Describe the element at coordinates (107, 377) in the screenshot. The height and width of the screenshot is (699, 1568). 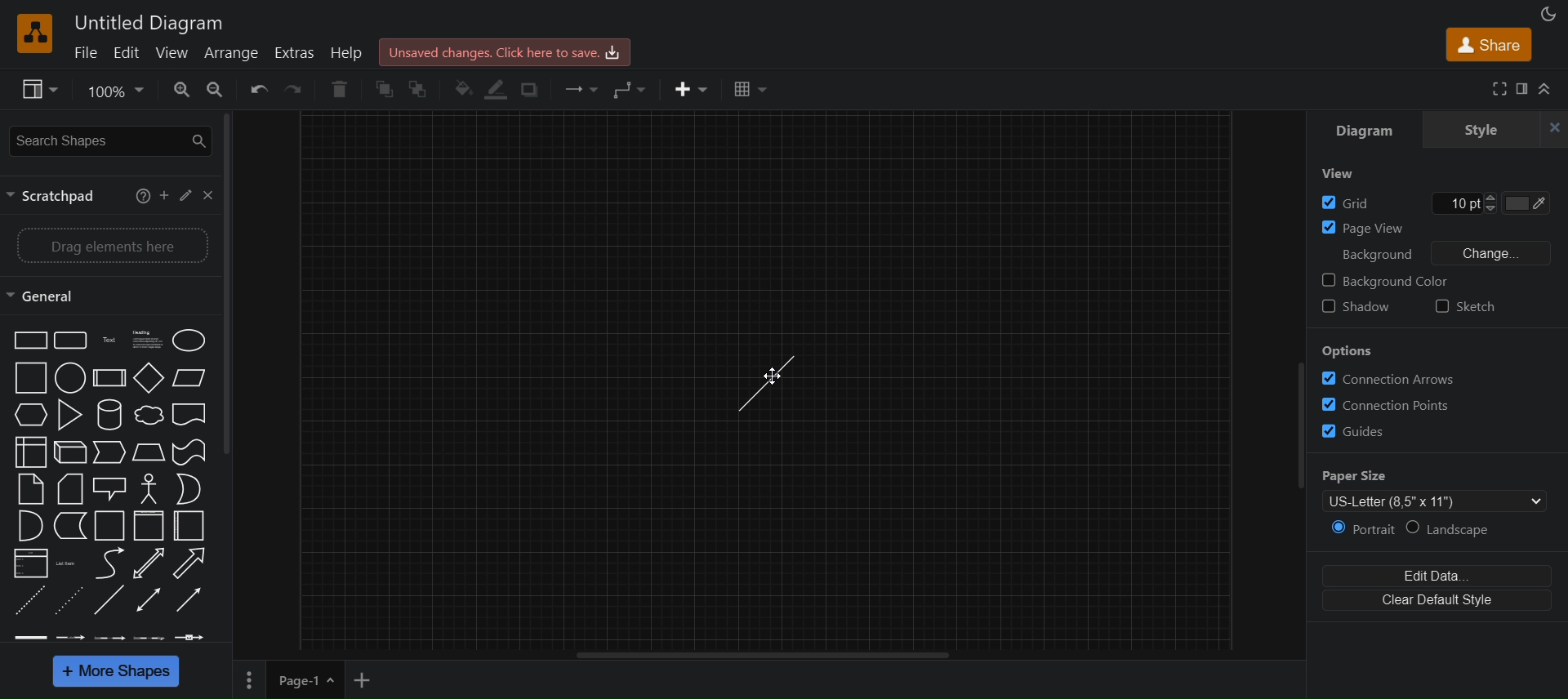
I see `Process` at that location.